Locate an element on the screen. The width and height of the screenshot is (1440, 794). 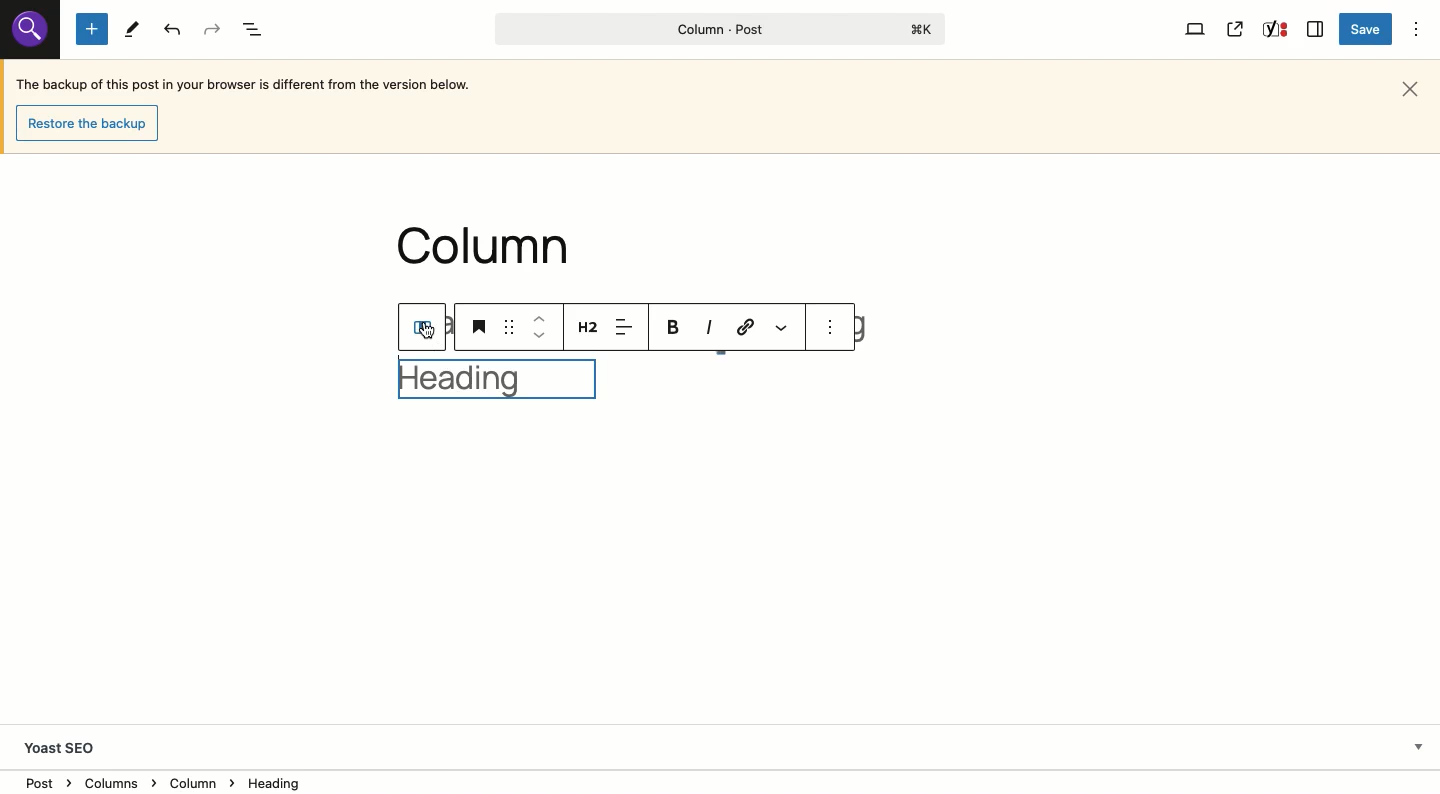
Heading is located at coordinates (497, 379).